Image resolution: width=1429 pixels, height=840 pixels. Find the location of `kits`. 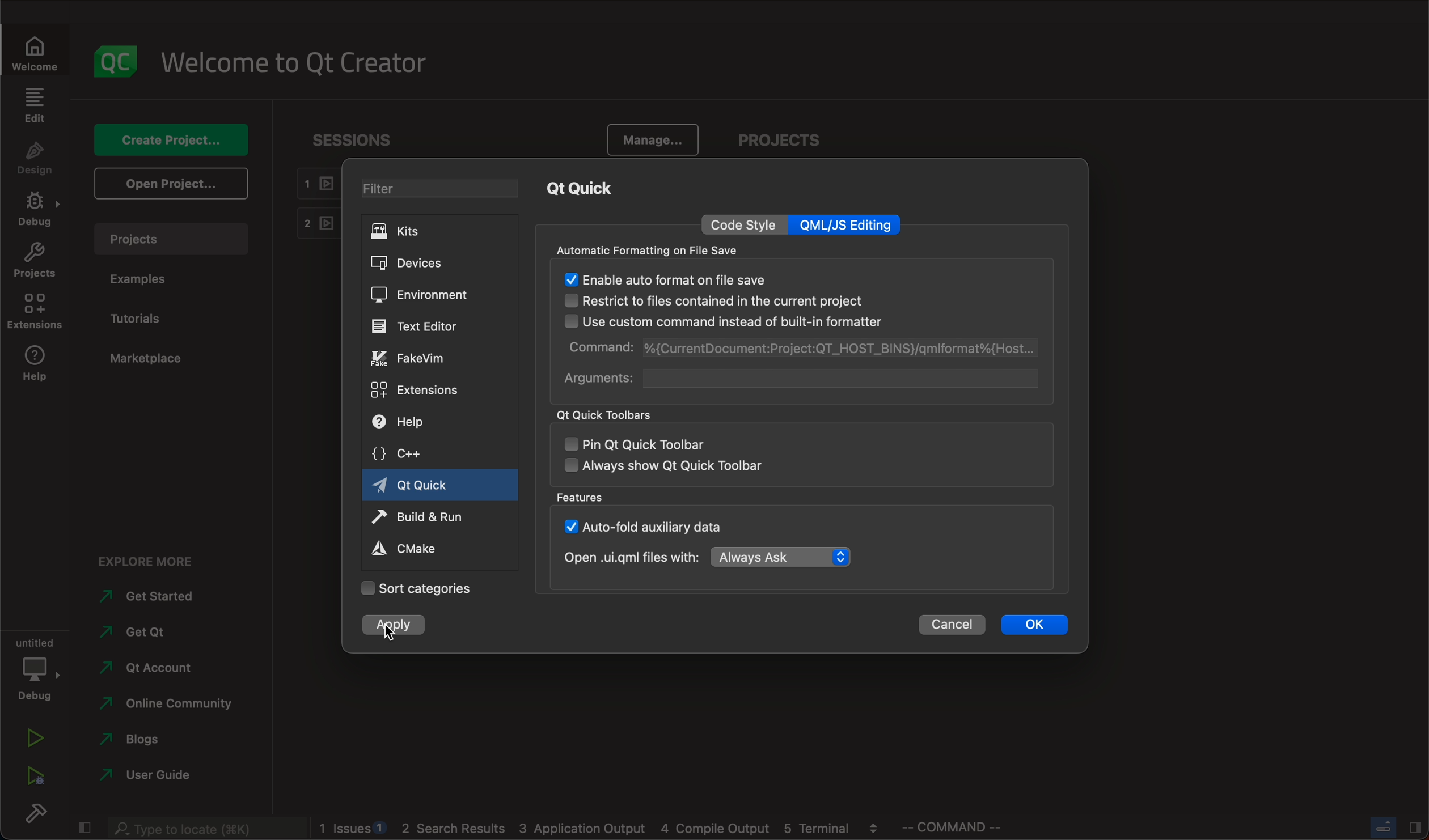

kits is located at coordinates (445, 232).